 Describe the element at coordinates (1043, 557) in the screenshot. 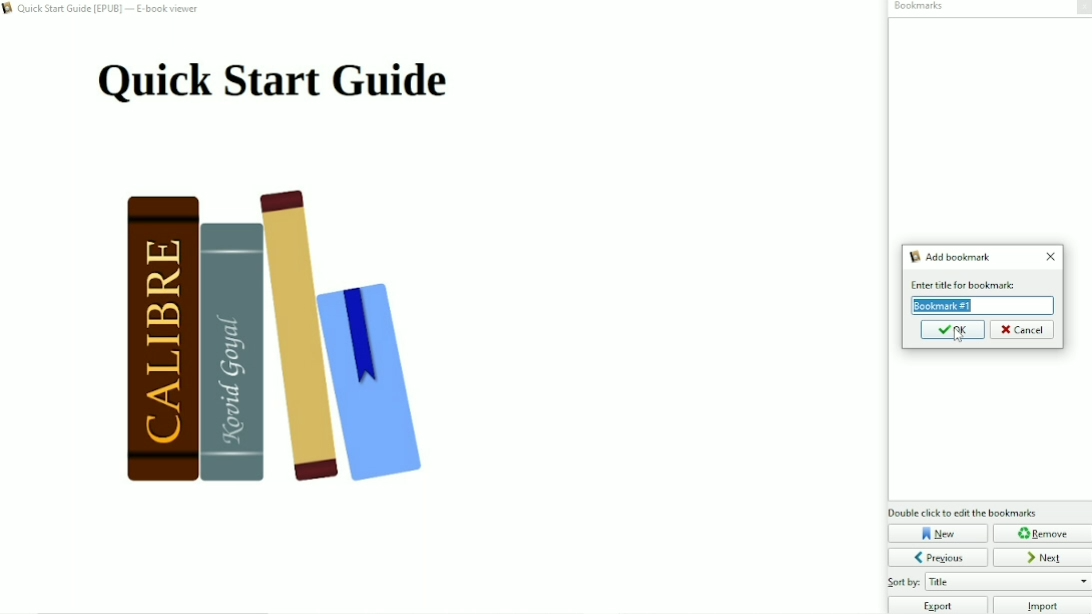

I see `Next` at that location.